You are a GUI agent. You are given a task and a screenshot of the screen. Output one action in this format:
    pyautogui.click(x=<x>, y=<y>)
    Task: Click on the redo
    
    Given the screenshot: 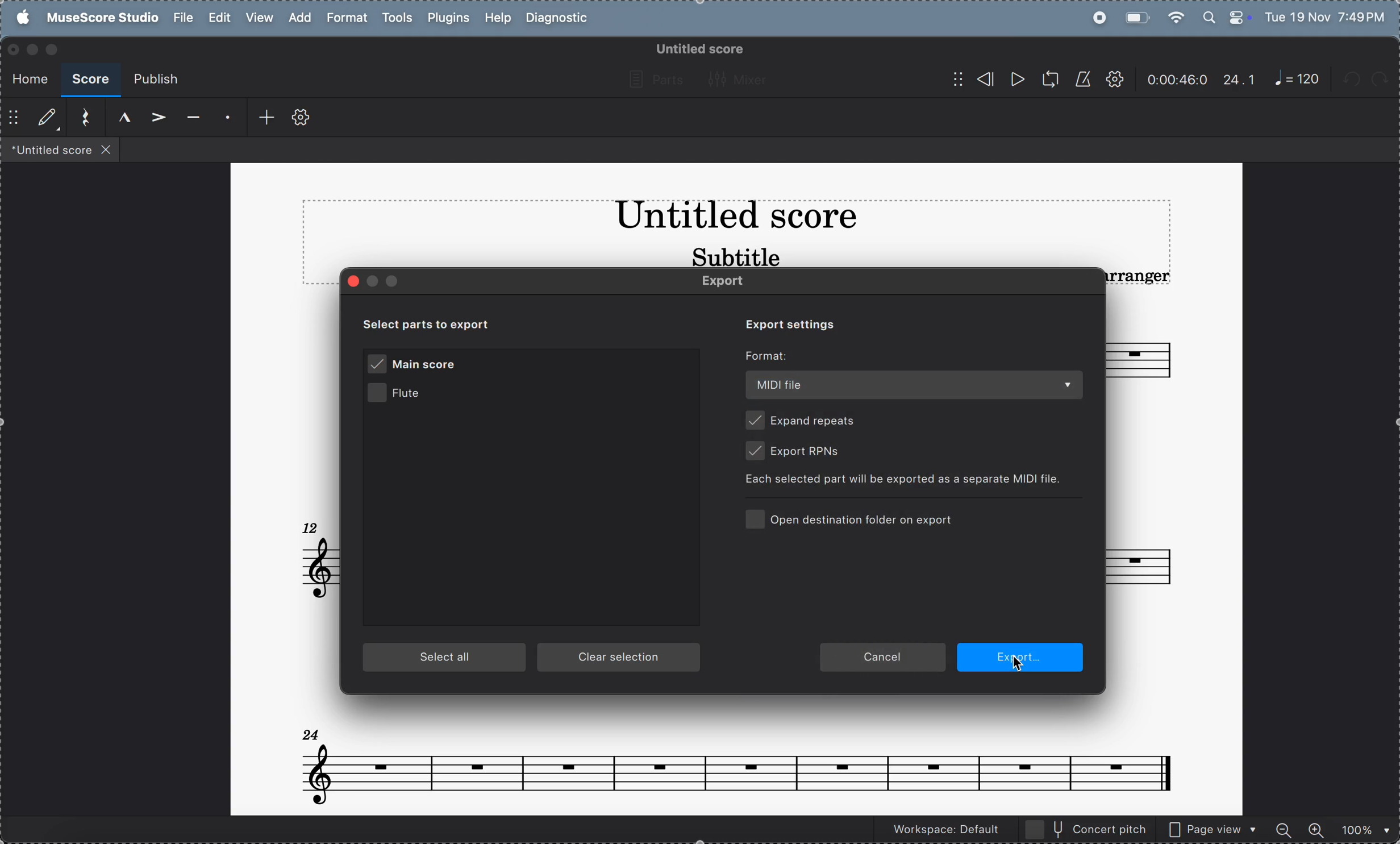 What is the action you would take?
    pyautogui.click(x=1386, y=80)
    